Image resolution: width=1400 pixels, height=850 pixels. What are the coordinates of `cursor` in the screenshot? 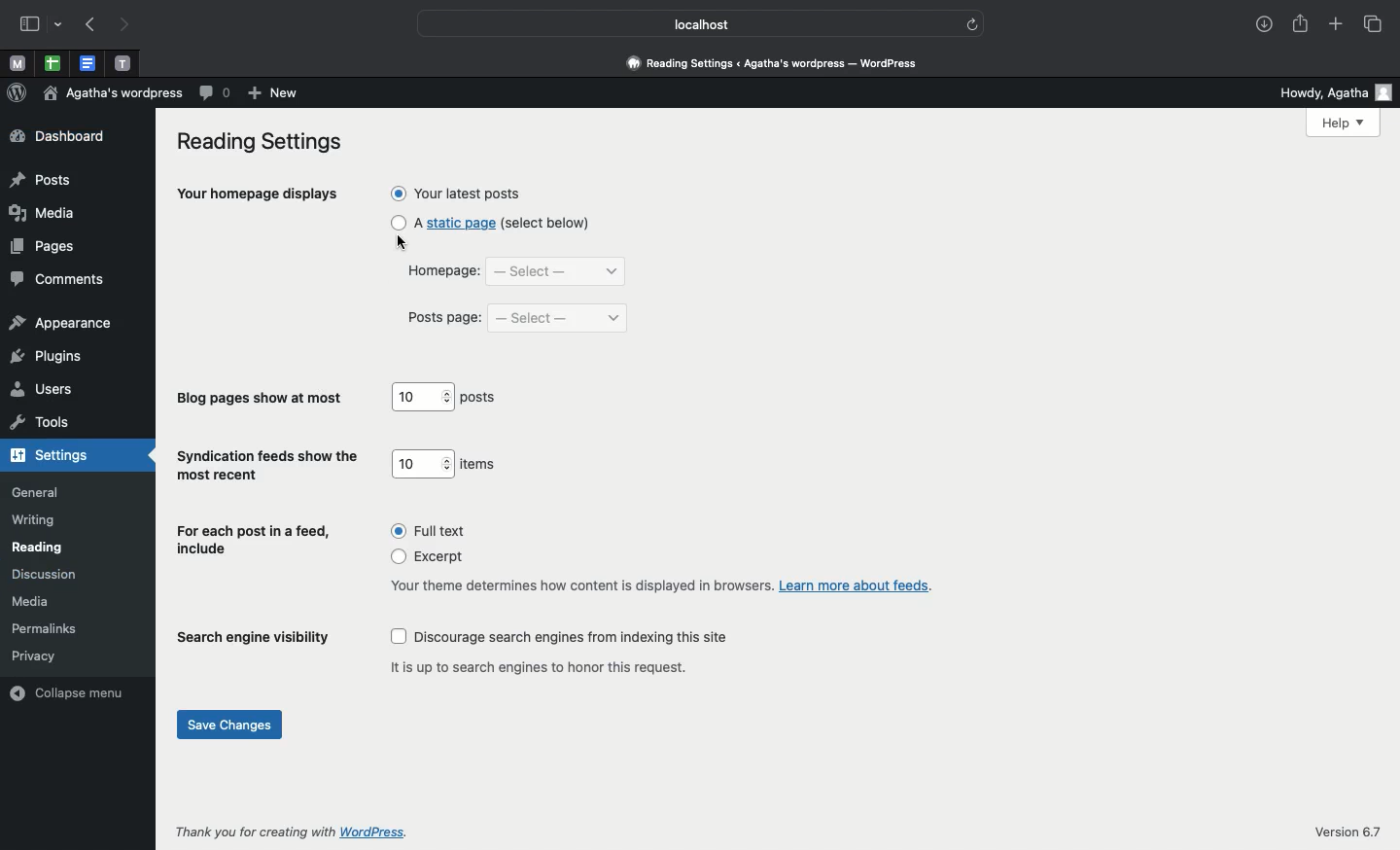 It's located at (402, 244).